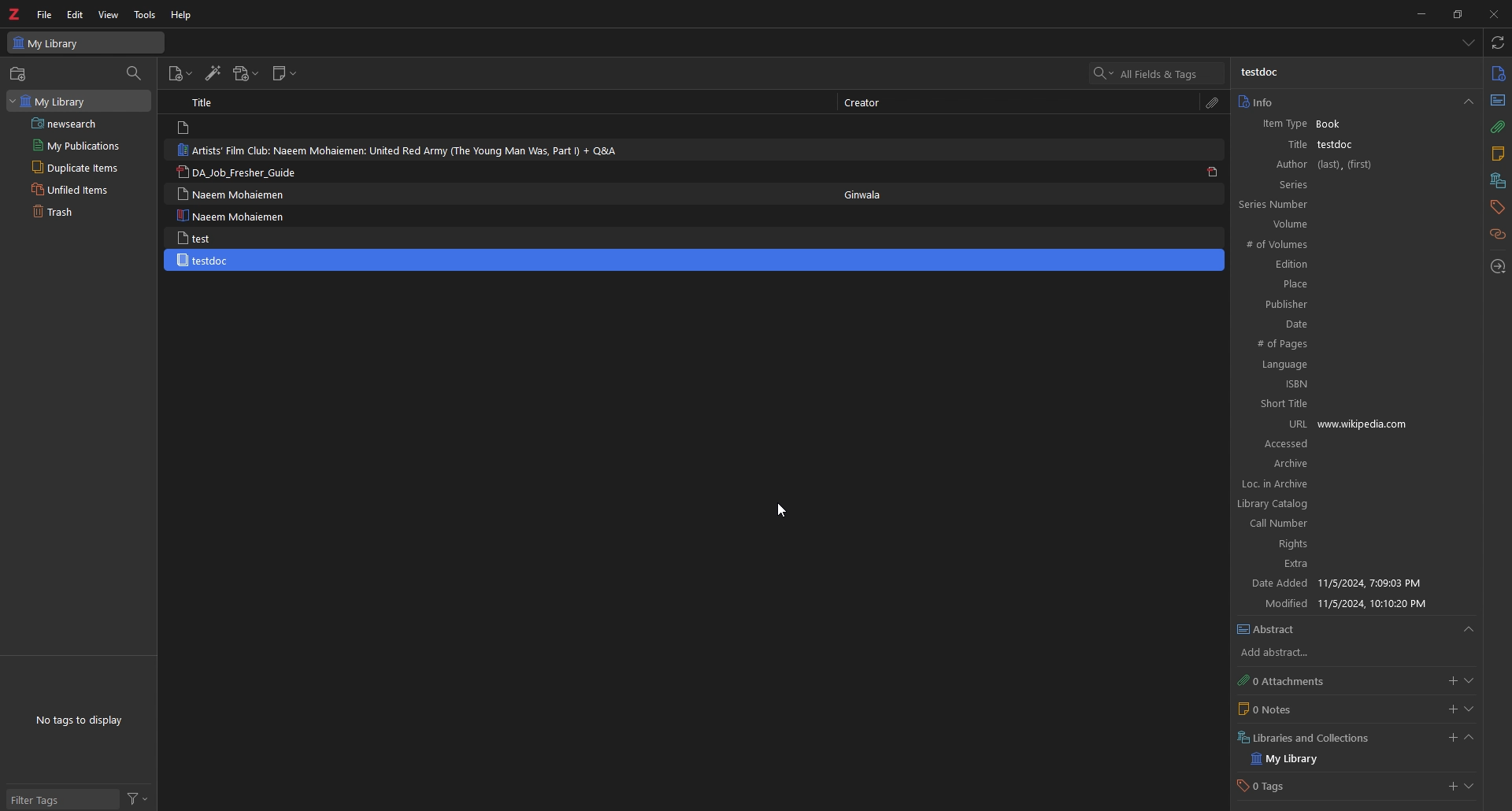  Describe the element at coordinates (1292, 761) in the screenshot. I see `my library` at that location.